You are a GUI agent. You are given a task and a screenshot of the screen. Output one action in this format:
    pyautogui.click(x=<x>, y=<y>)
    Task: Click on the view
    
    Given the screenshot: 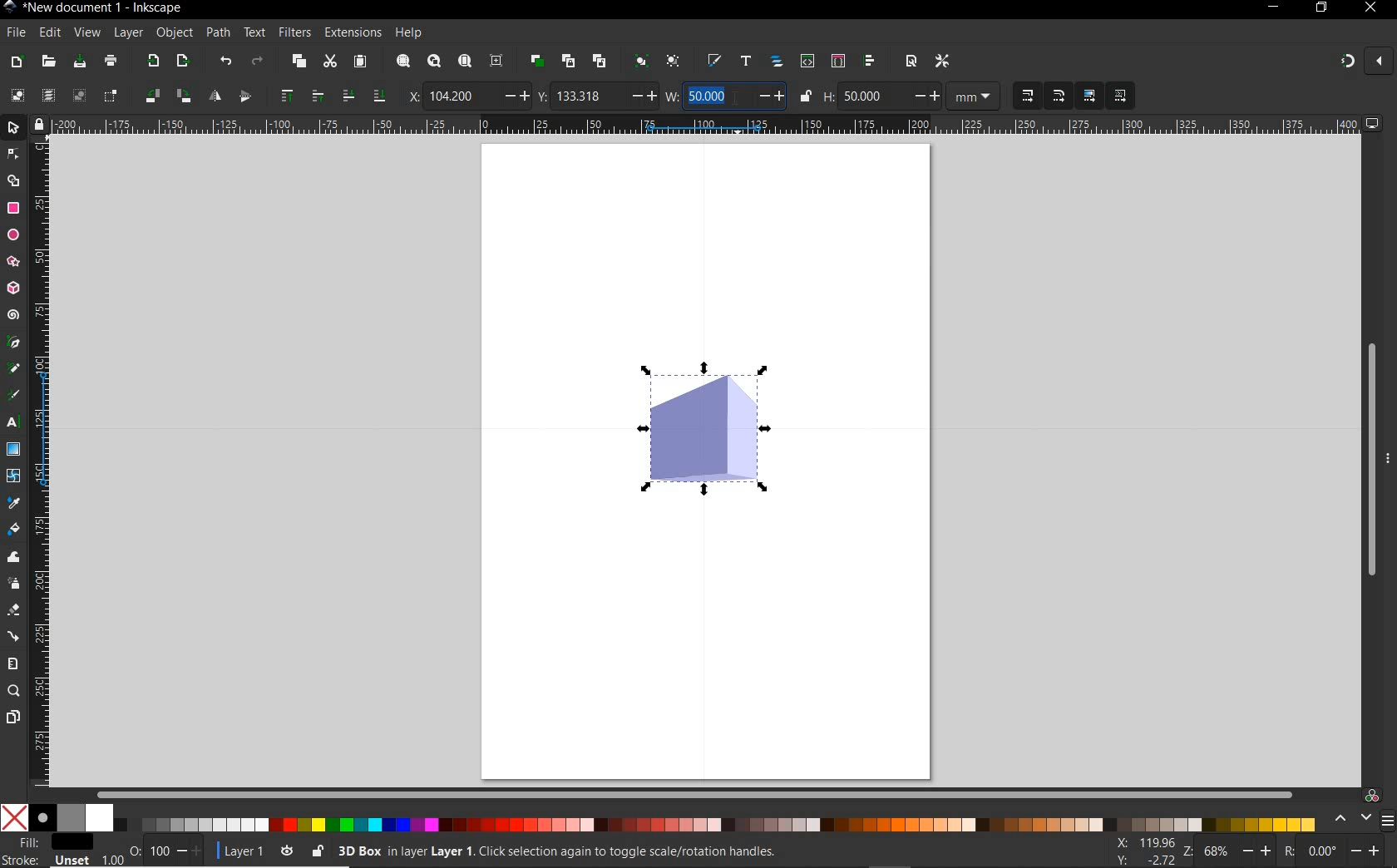 What is the action you would take?
    pyautogui.click(x=86, y=33)
    